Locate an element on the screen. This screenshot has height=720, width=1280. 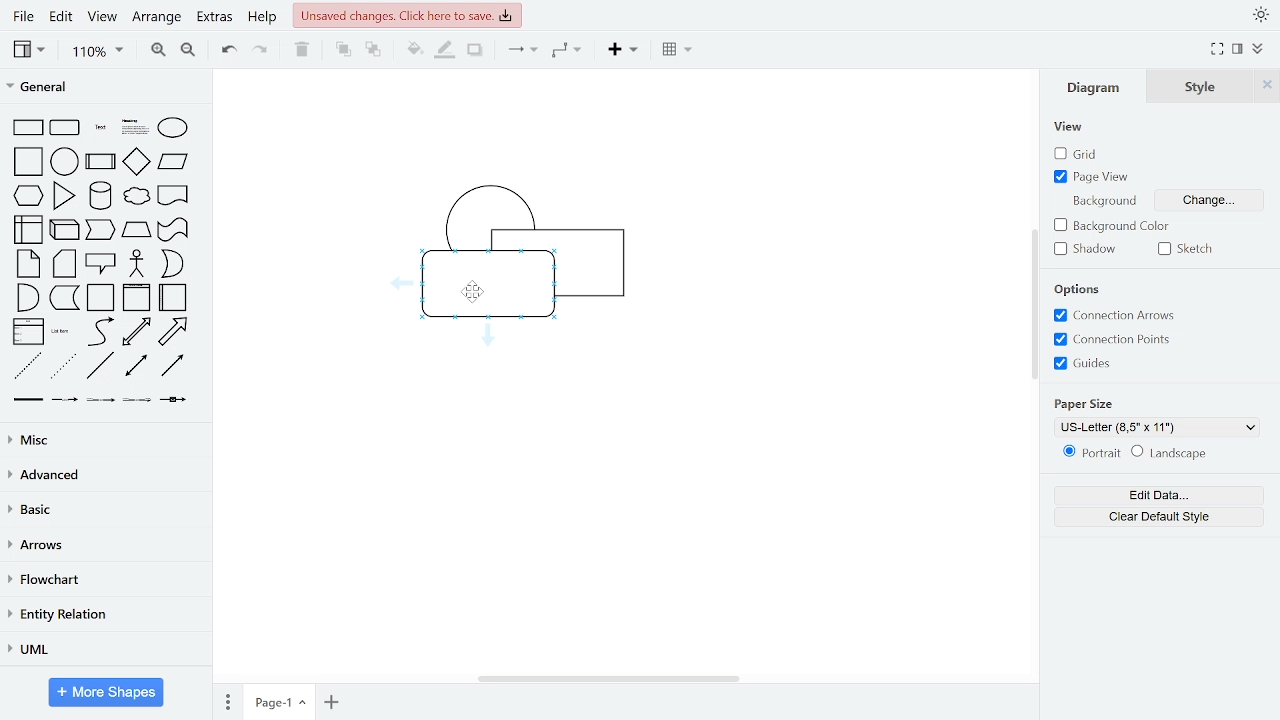
change background is located at coordinates (1208, 200).